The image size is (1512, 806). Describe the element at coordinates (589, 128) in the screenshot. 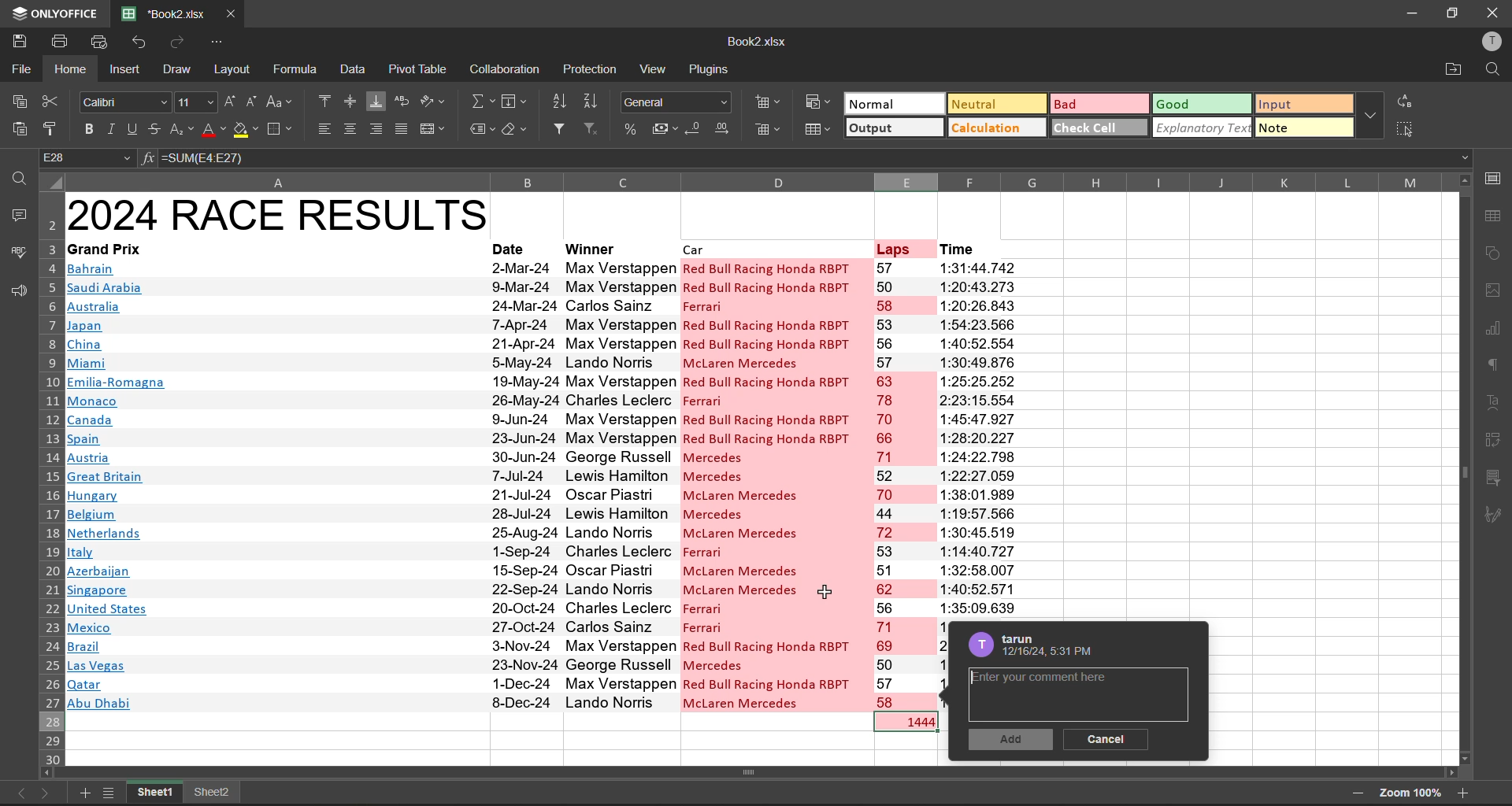

I see `clear filter` at that location.